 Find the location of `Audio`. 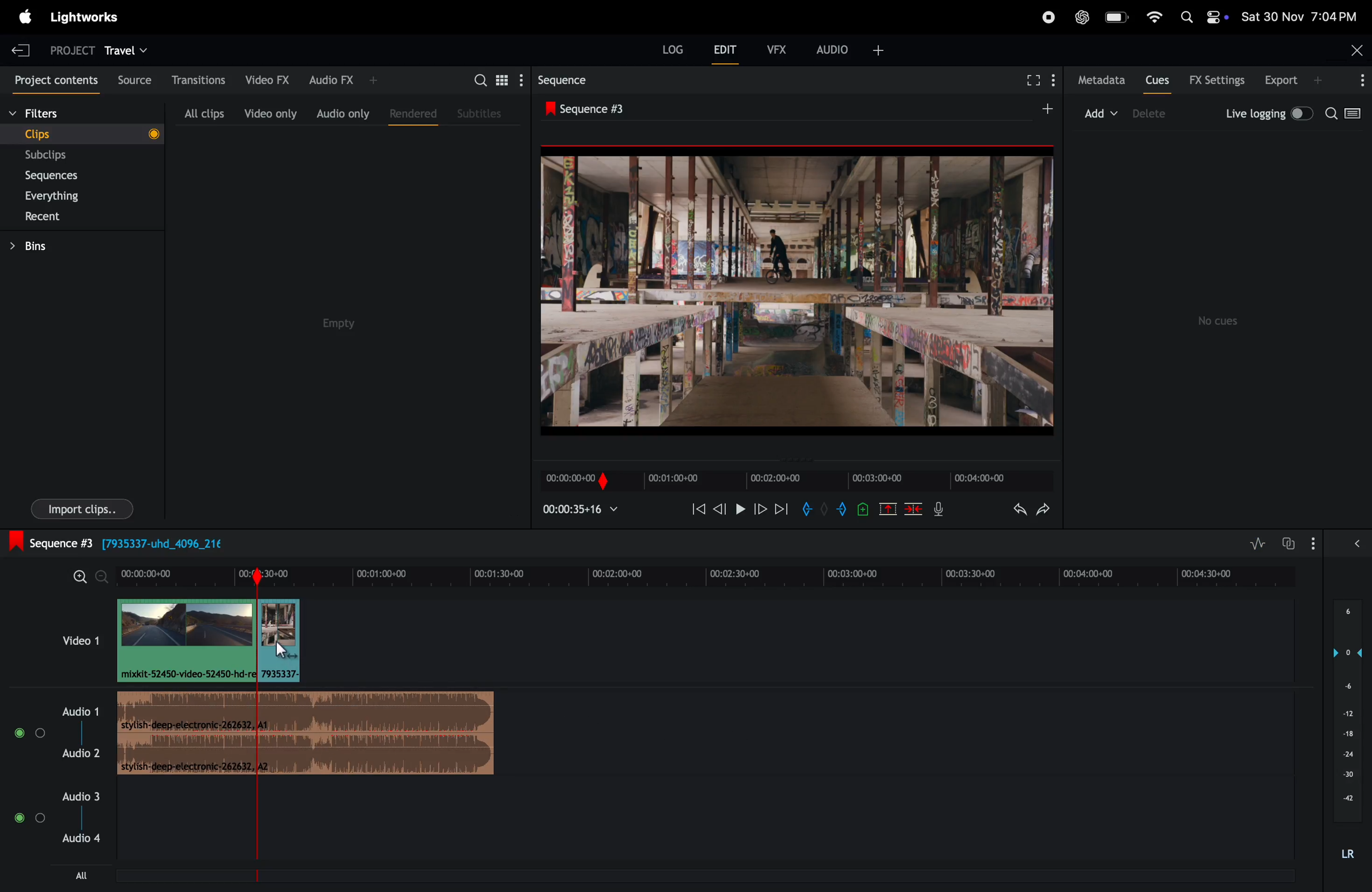

Audio is located at coordinates (30, 734).